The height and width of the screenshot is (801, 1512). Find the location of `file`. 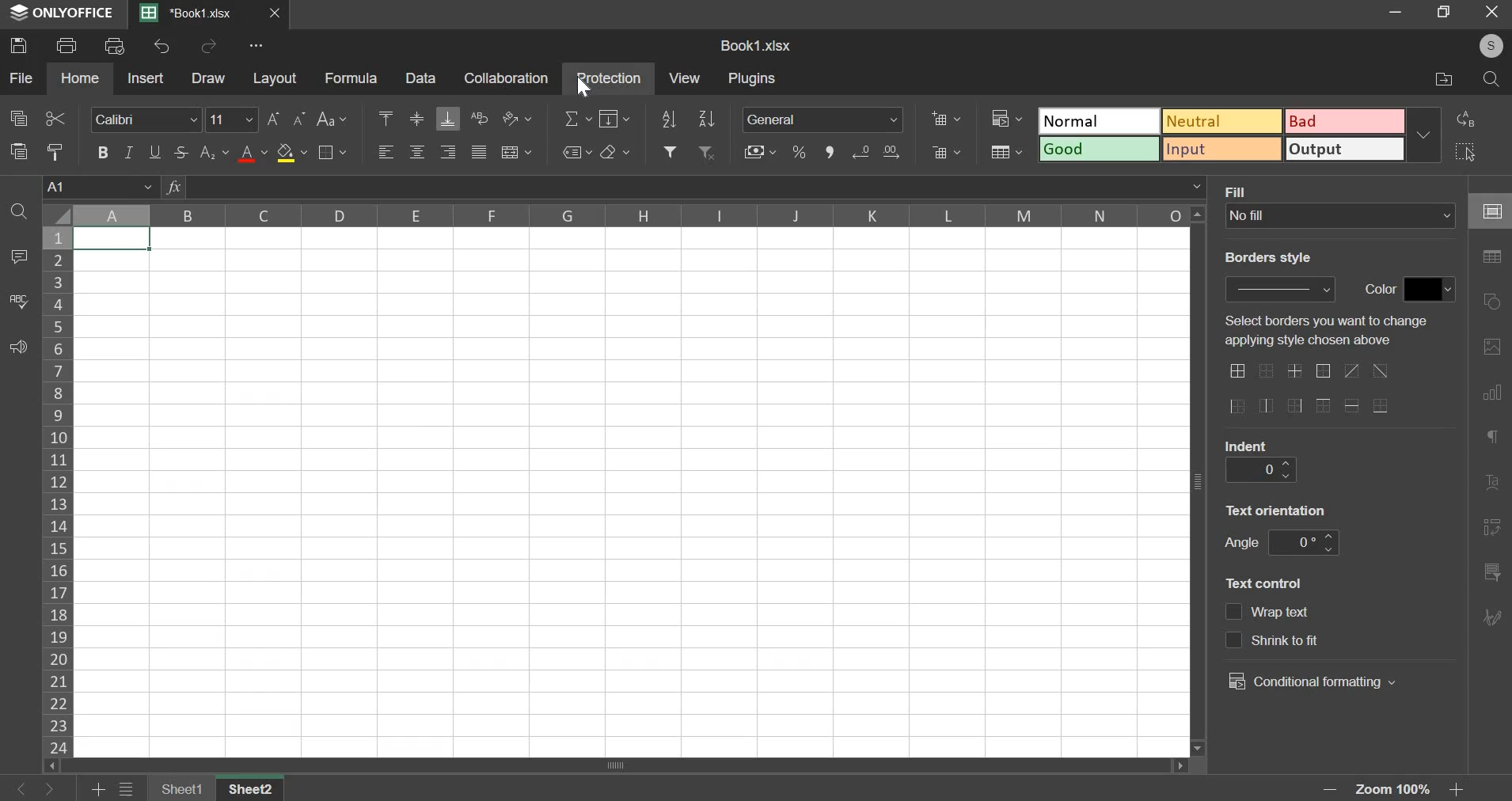

file is located at coordinates (21, 79).